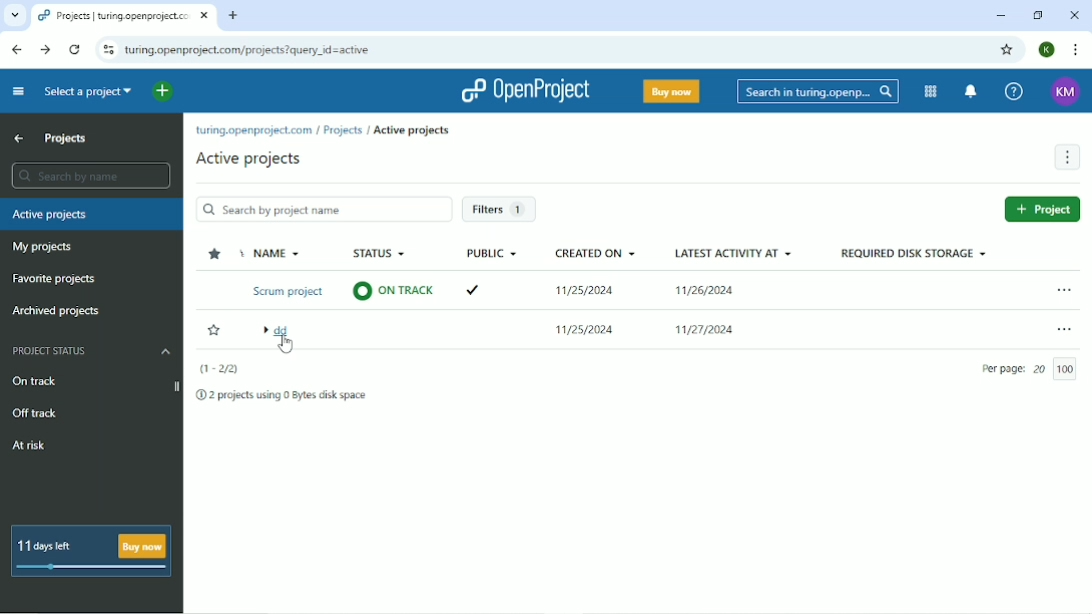 Image resolution: width=1092 pixels, height=614 pixels. Describe the element at coordinates (323, 209) in the screenshot. I see `Search by project name` at that location.